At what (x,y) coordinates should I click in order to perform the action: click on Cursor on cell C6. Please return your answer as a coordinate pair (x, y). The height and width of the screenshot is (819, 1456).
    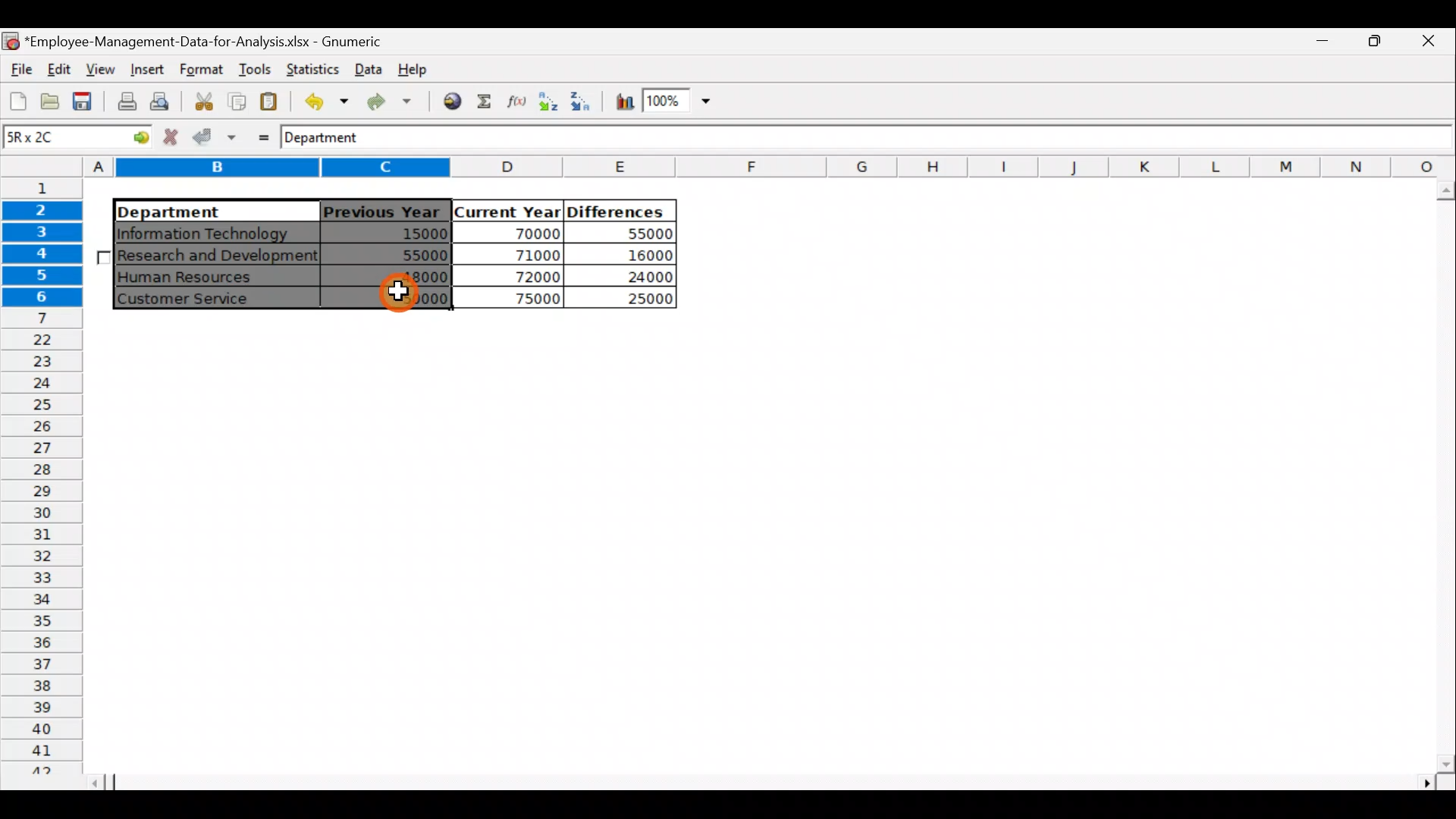
    Looking at the image, I should click on (402, 294).